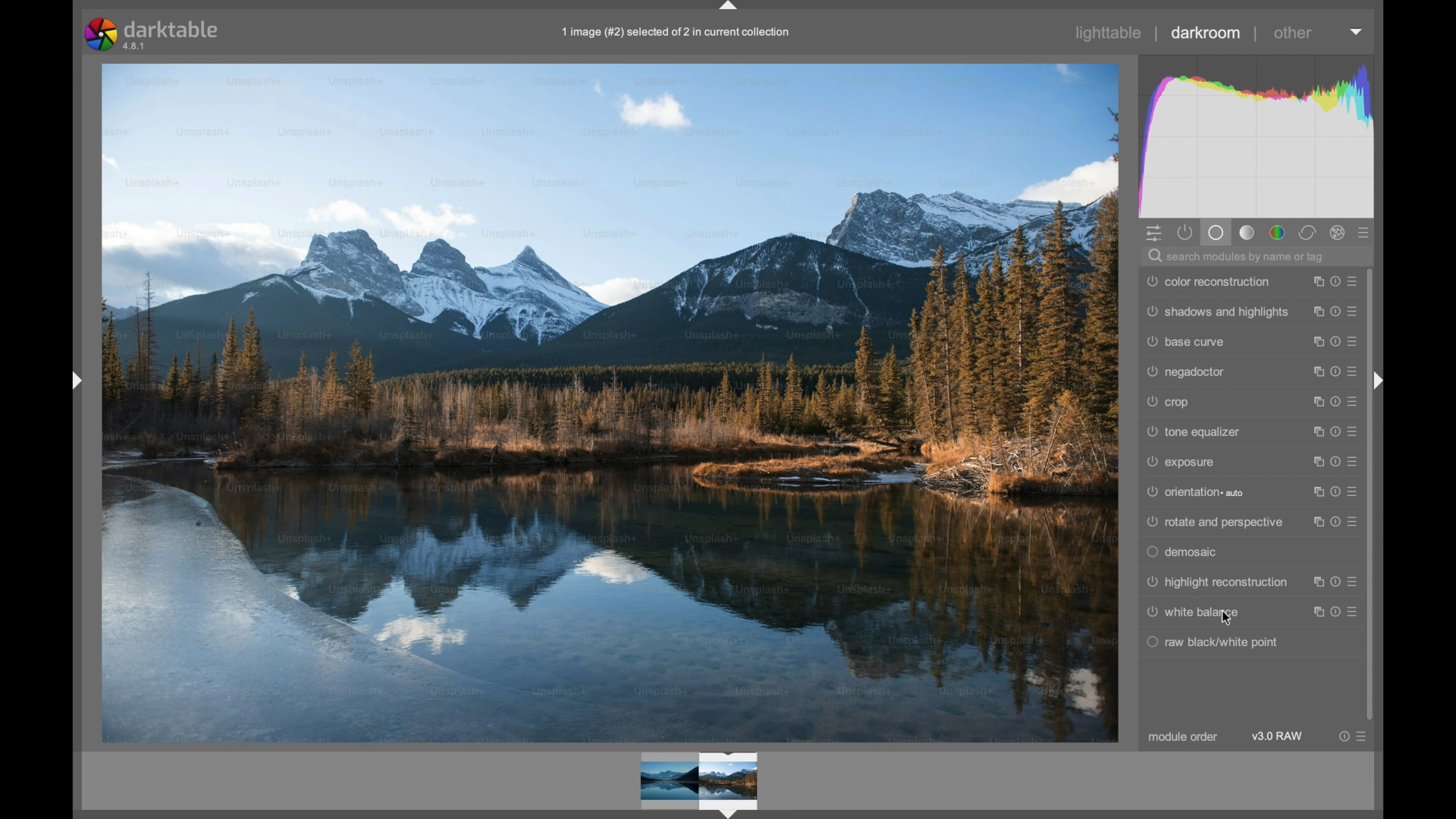 The width and height of the screenshot is (1456, 819). I want to click on presets, so click(1353, 312).